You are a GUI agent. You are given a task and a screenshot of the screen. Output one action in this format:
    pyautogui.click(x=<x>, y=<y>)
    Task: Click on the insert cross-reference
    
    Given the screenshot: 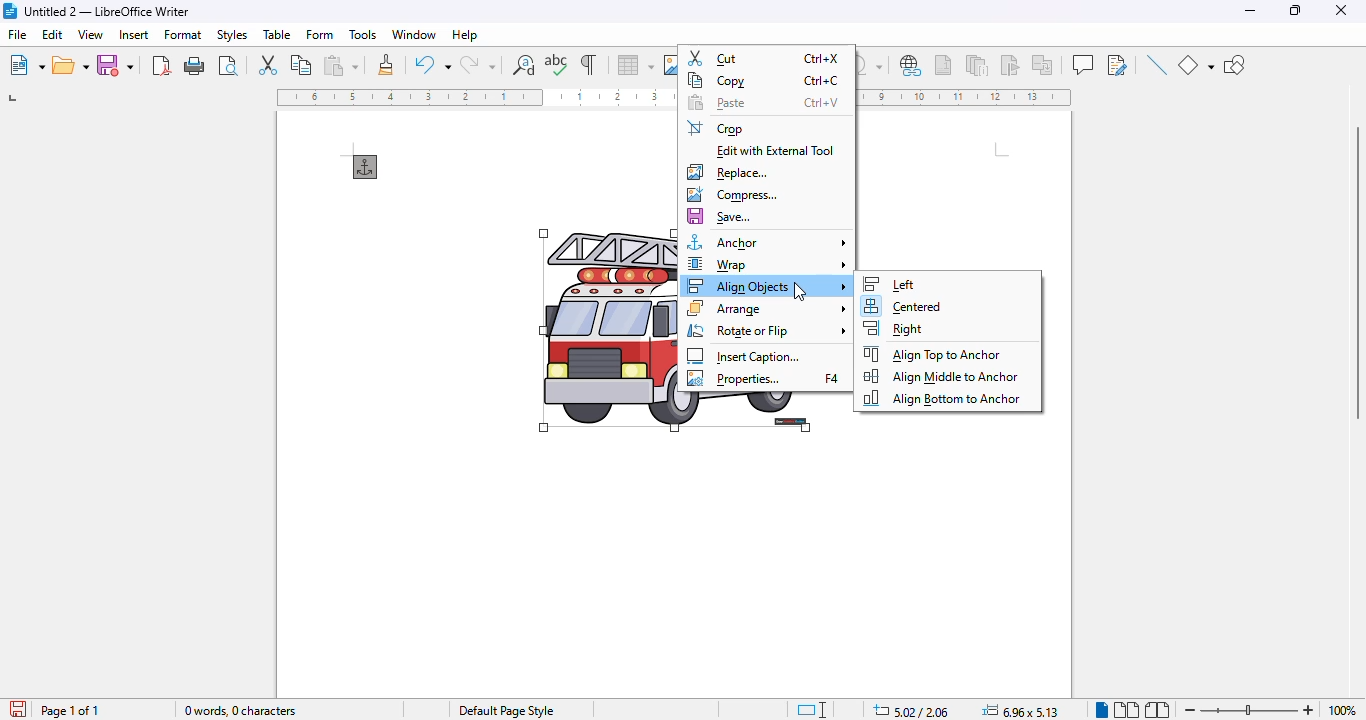 What is the action you would take?
    pyautogui.click(x=1042, y=64)
    